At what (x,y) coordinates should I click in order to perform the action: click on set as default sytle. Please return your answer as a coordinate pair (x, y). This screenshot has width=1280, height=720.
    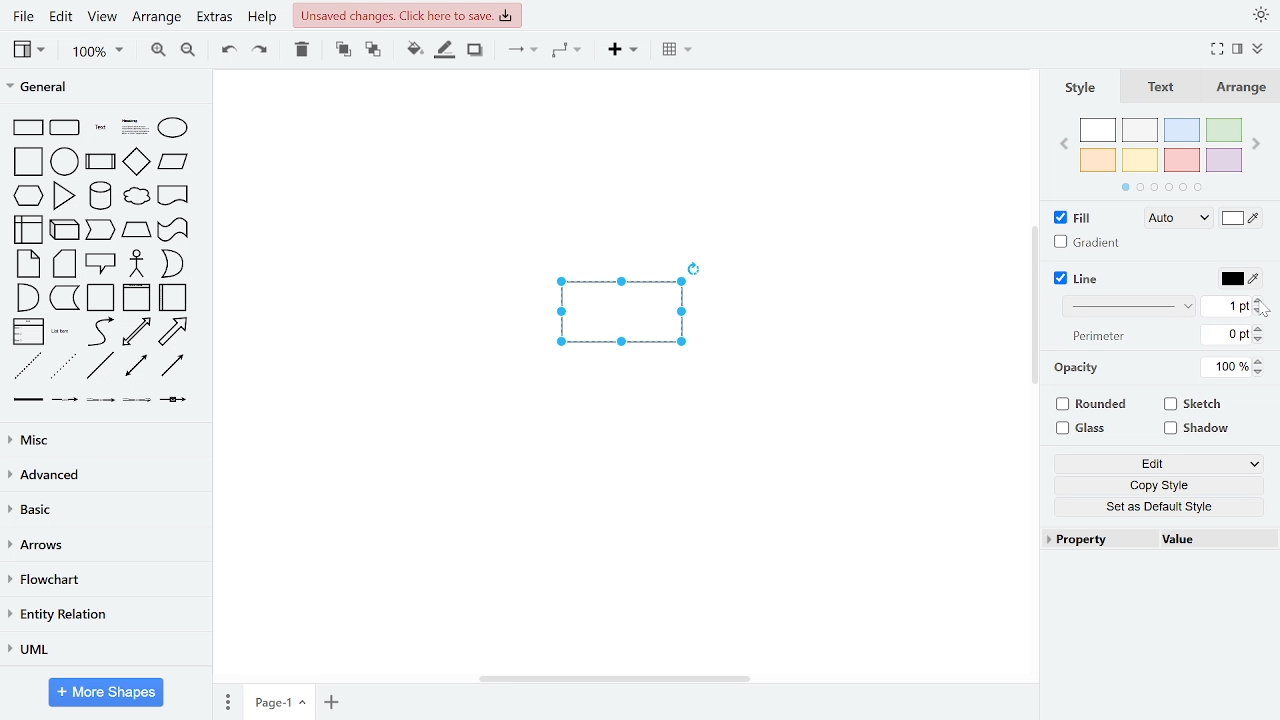
    Looking at the image, I should click on (1154, 507).